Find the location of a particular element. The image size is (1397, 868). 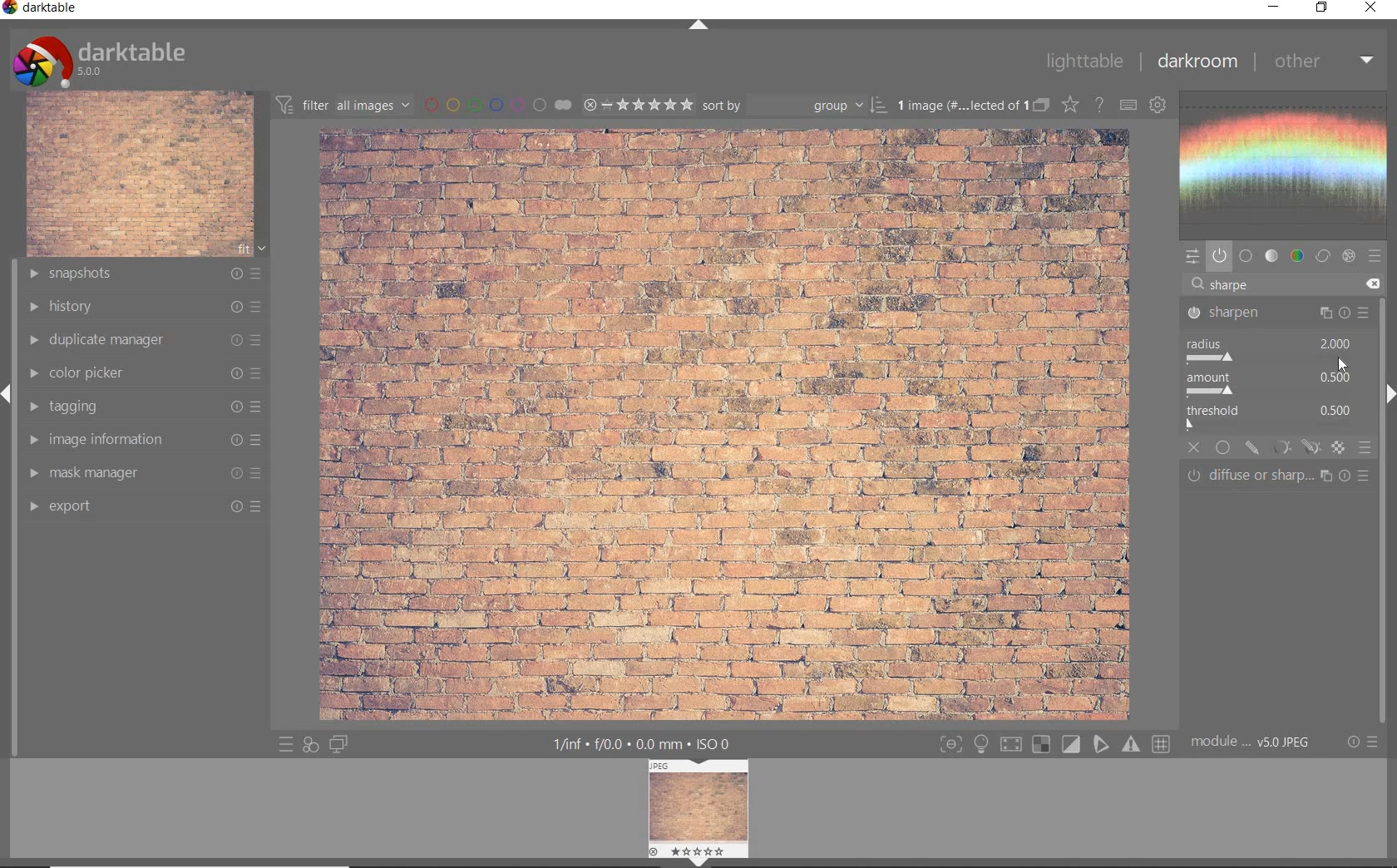

DELETED is located at coordinates (1375, 284).